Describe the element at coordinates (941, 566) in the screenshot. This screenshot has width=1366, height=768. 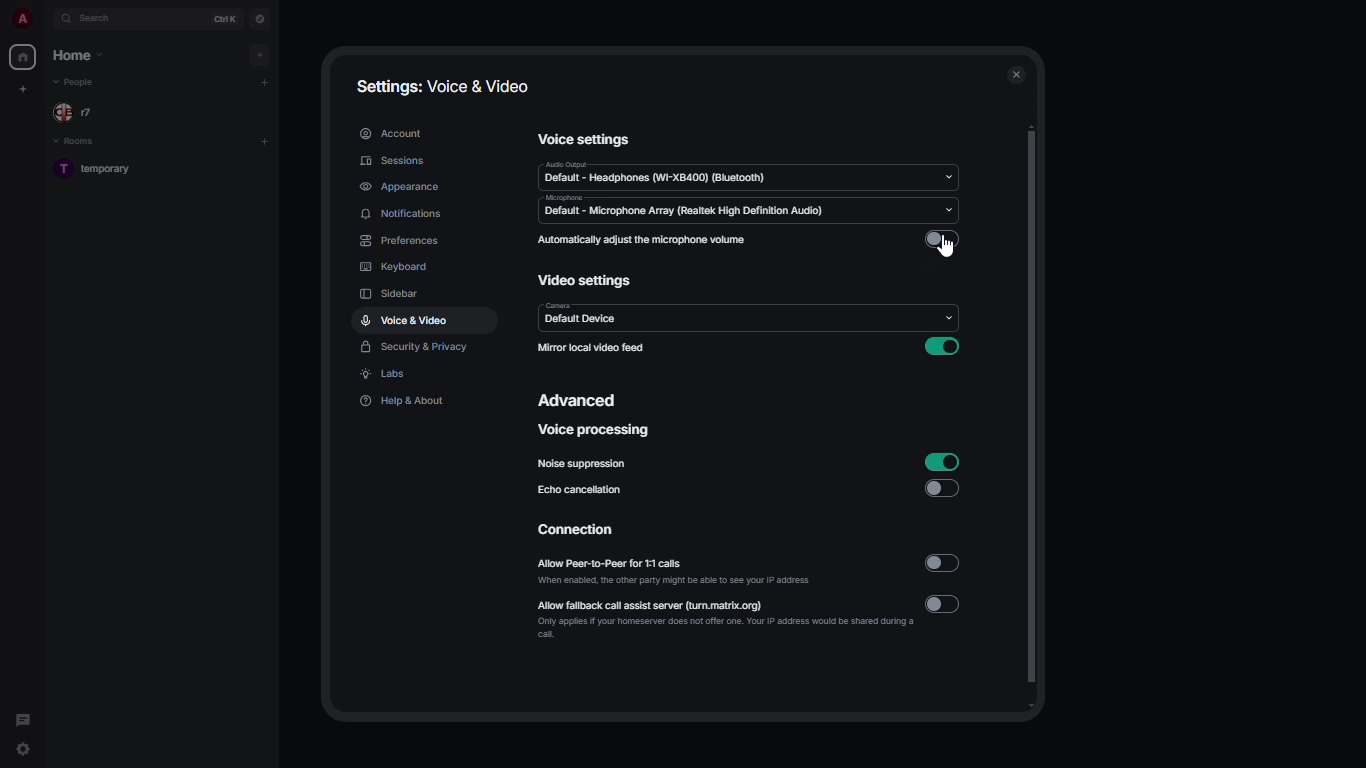
I see `disabled` at that location.